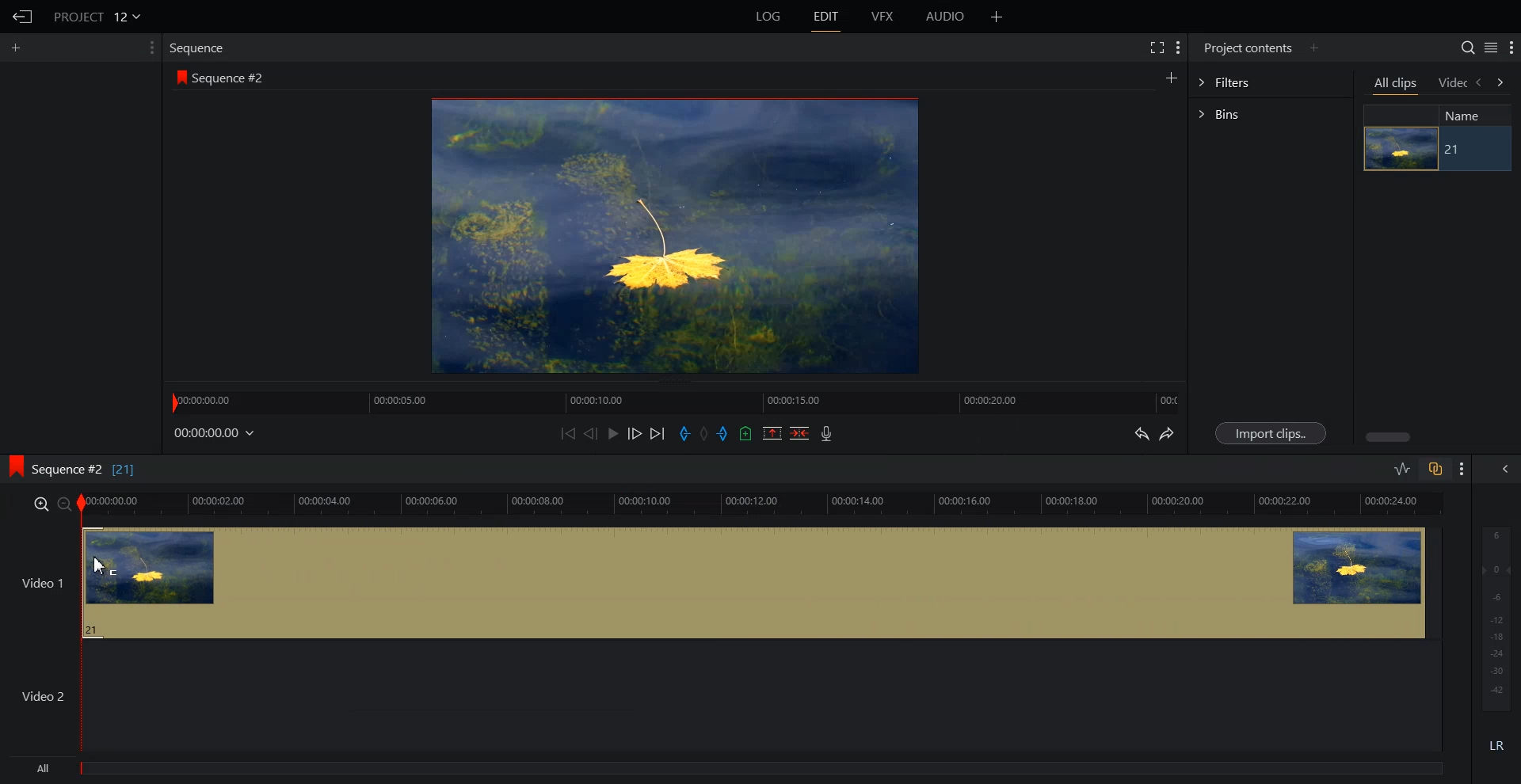 Image resolution: width=1521 pixels, height=784 pixels. Describe the element at coordinates (24, 17) in the screenshot. I see `Go Back` at that location.